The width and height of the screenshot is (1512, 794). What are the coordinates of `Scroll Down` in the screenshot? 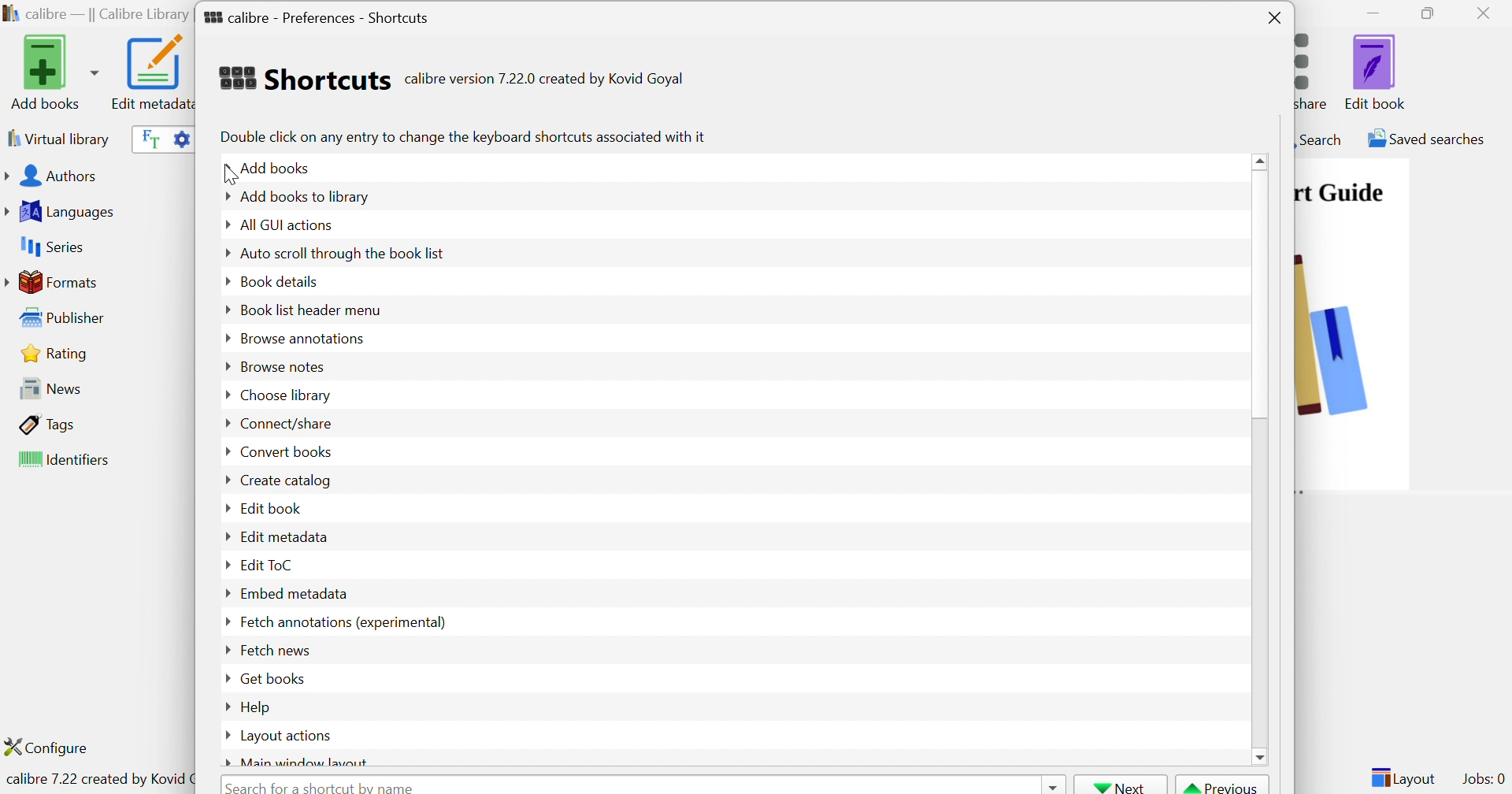 It's located at (1261, 755).